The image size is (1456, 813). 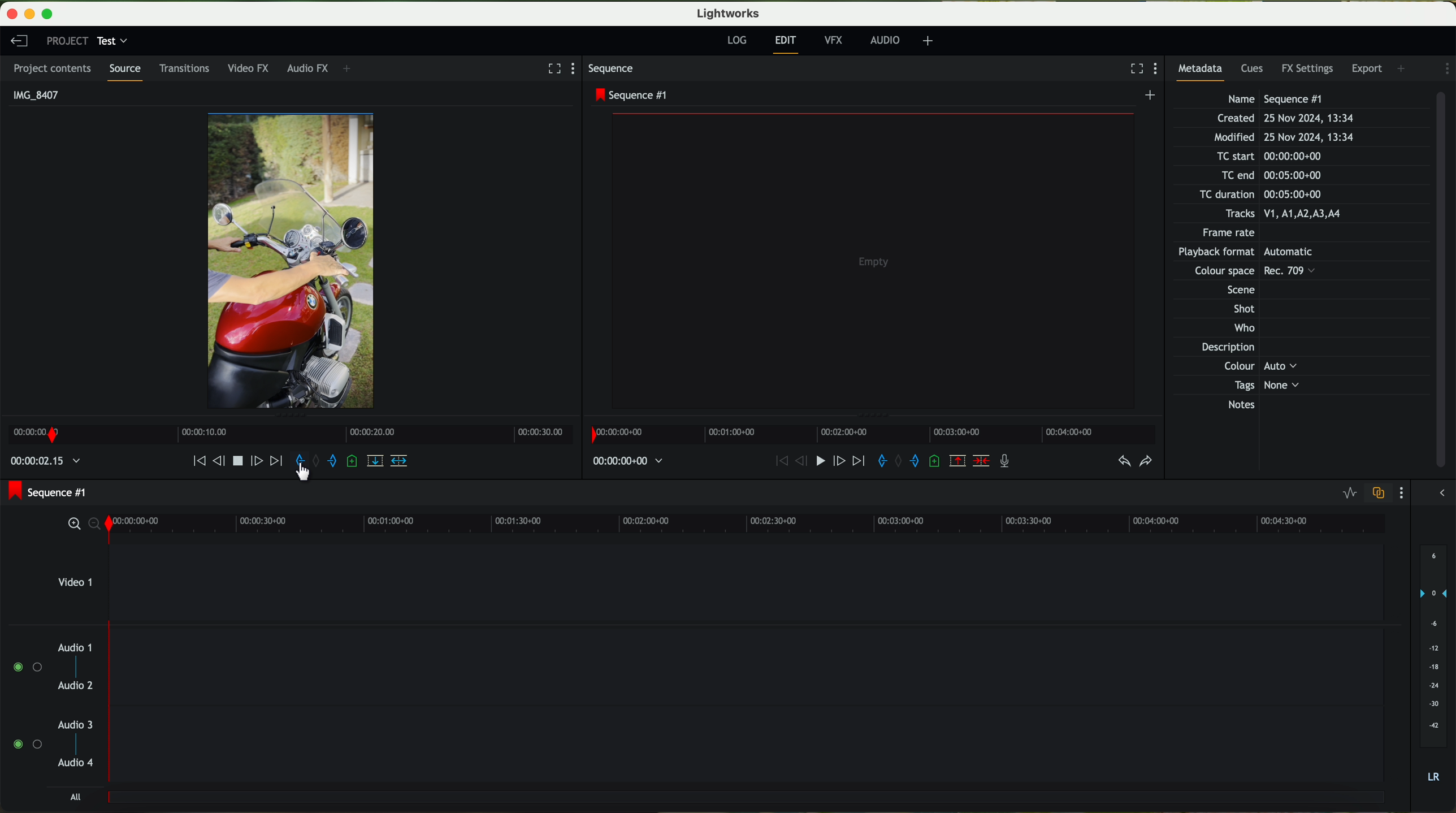 I want to click on Tracks, so click(x=1281, y=214).